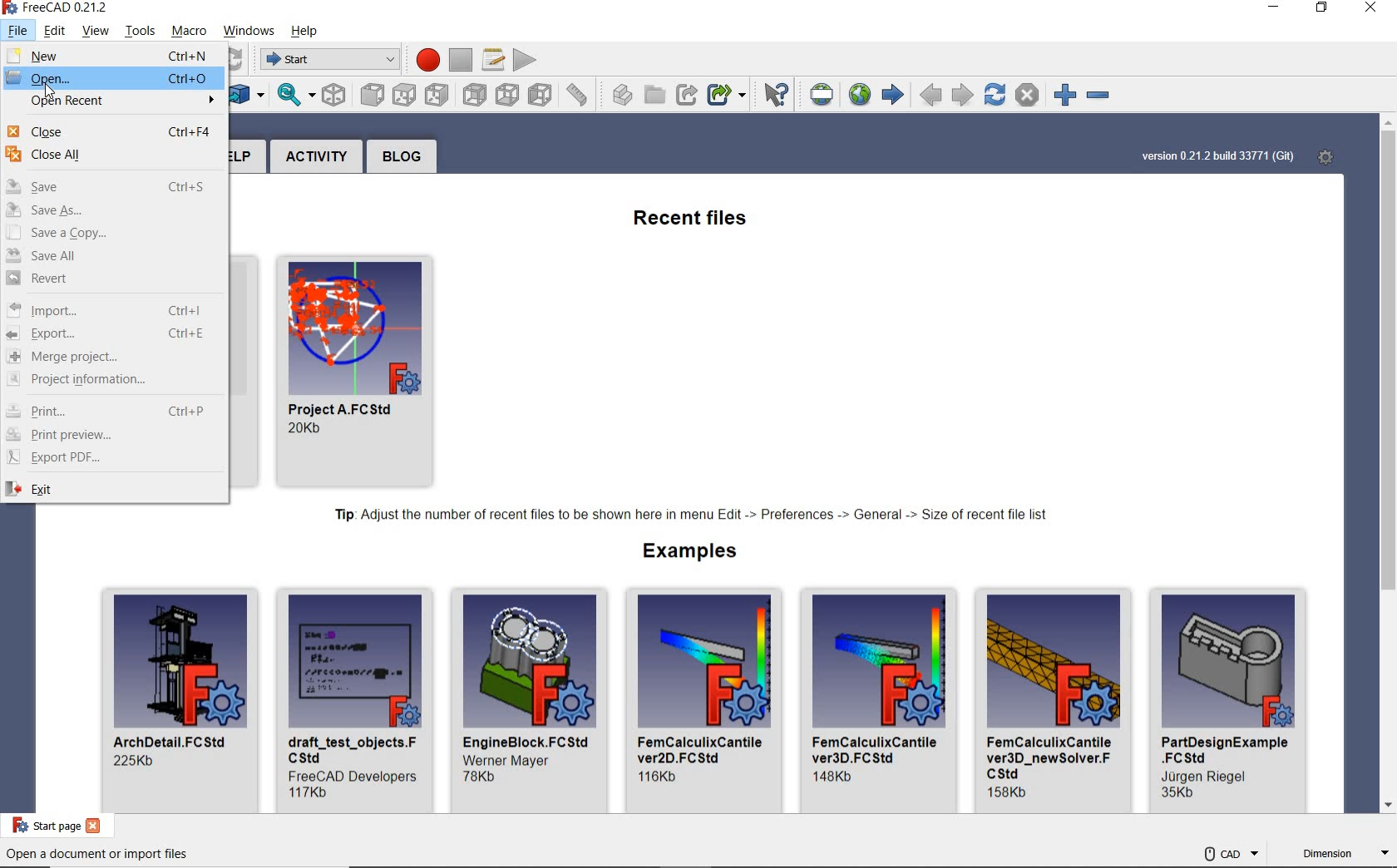 Image resolution: width=1397 pixels, height=868 pixels. I want to click on DIMENSION, so click(1345, 856).